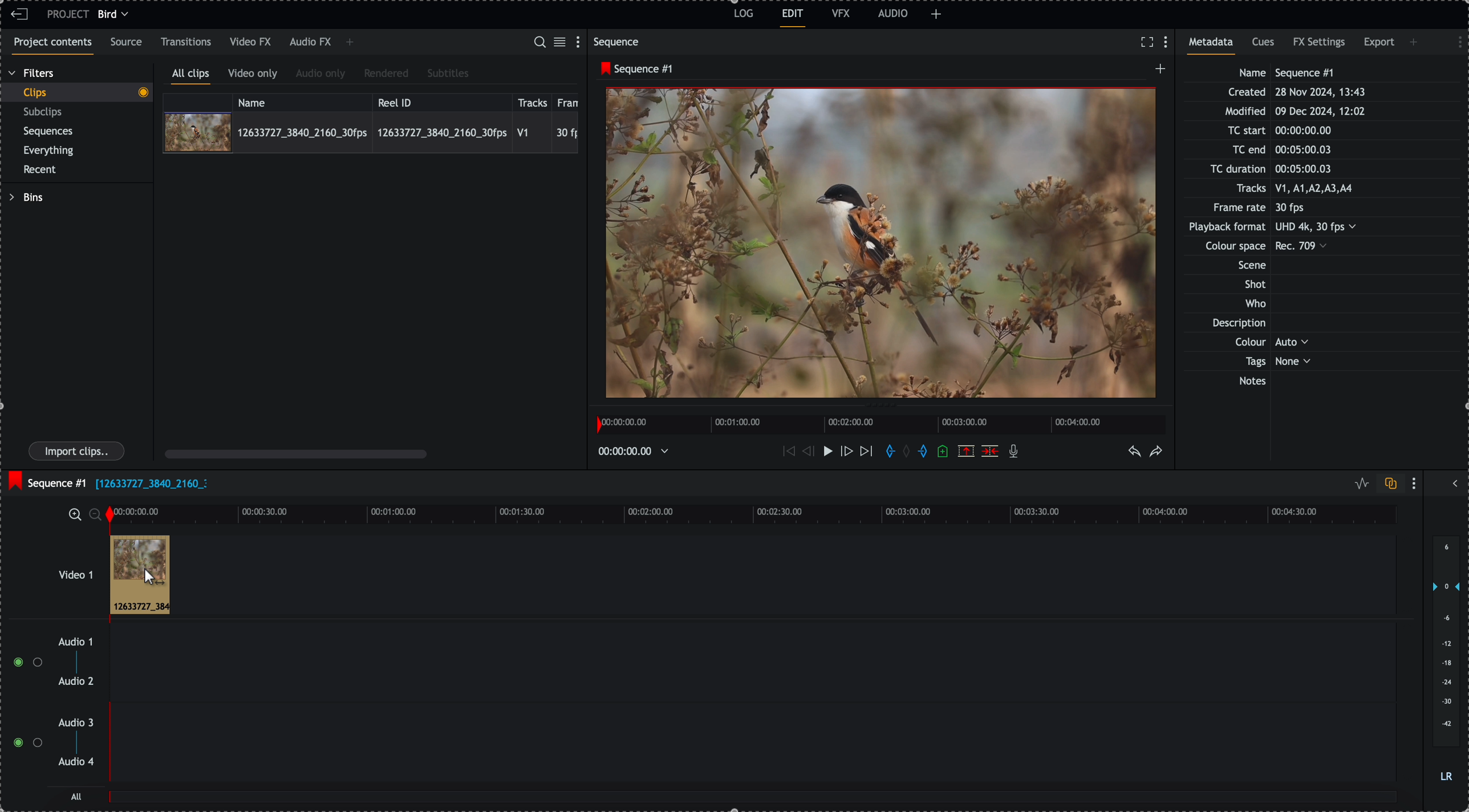  I want to click on undo, so click(1135, 452).